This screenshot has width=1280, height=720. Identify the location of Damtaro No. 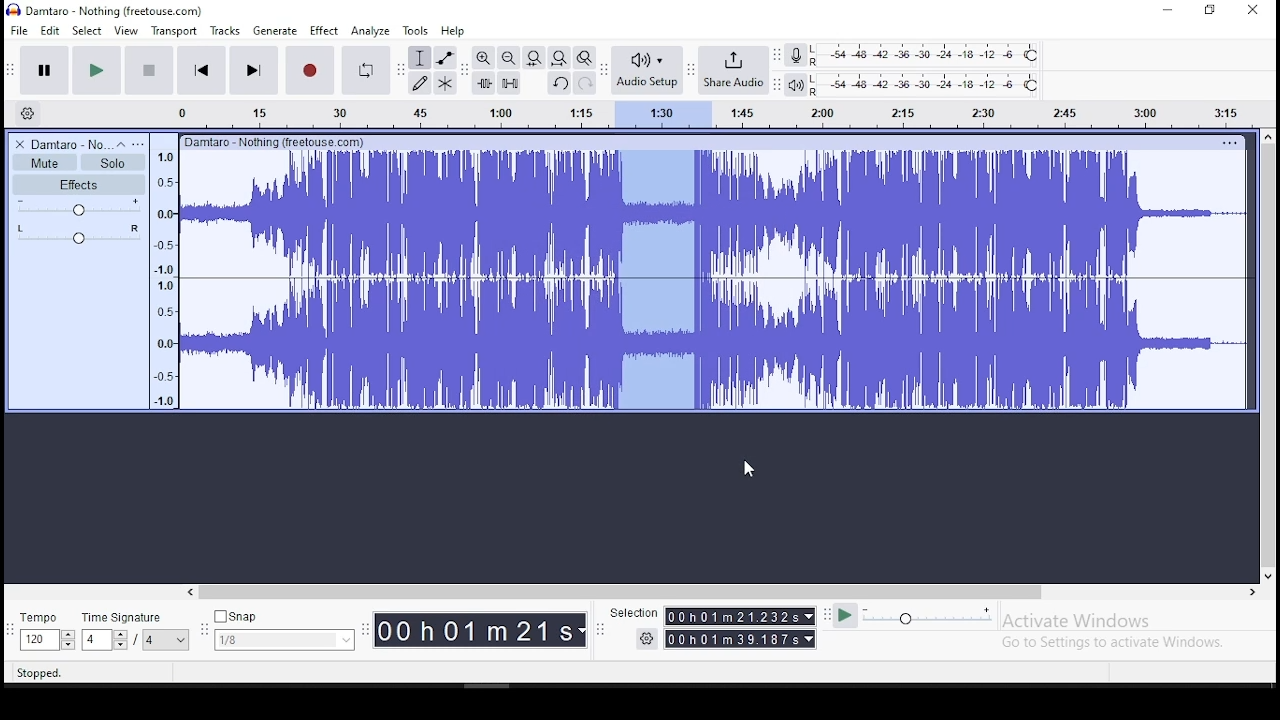
(70, 144).